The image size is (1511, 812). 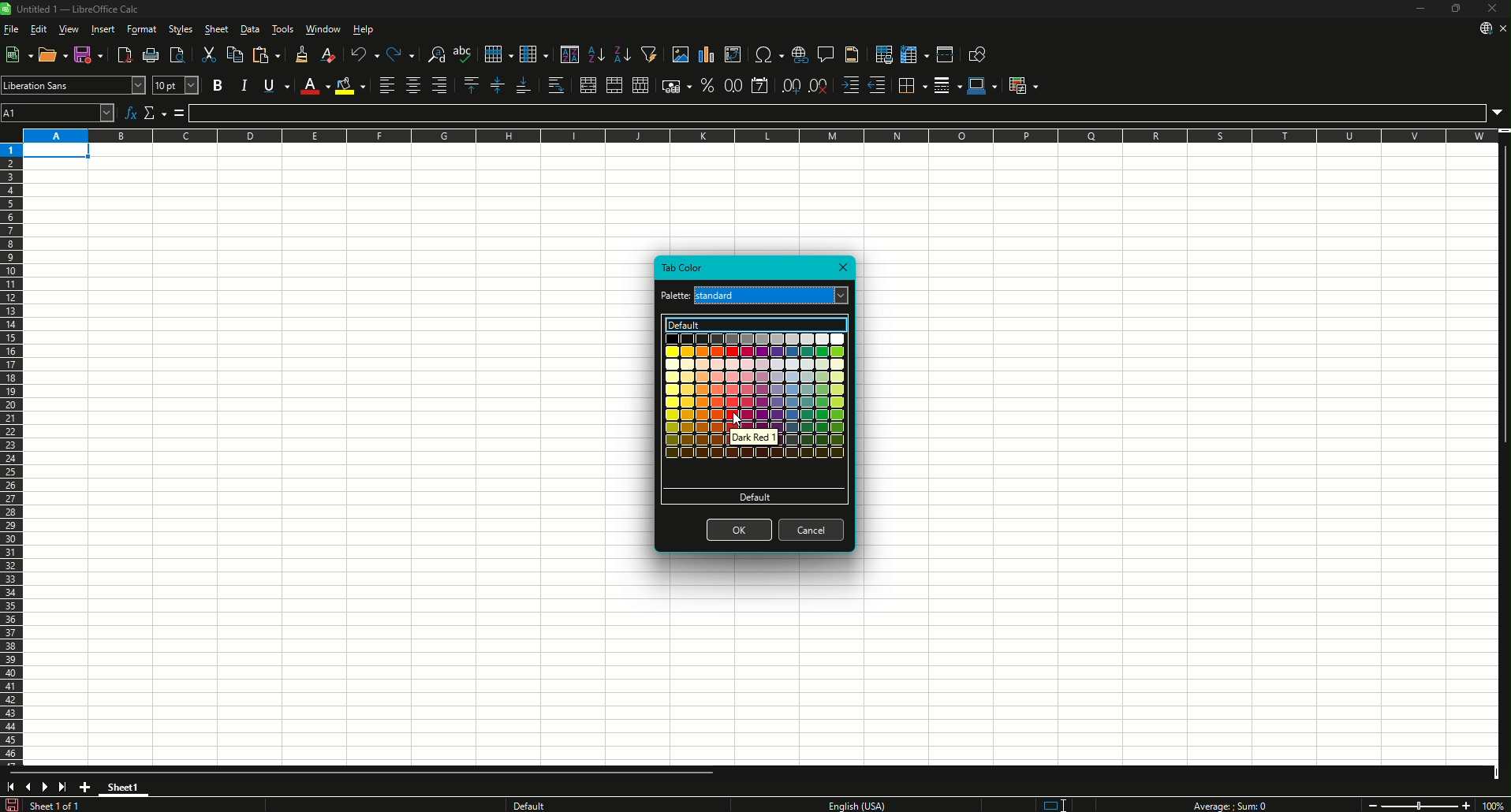 I want to click on Italic, so click(x=244, y=85).